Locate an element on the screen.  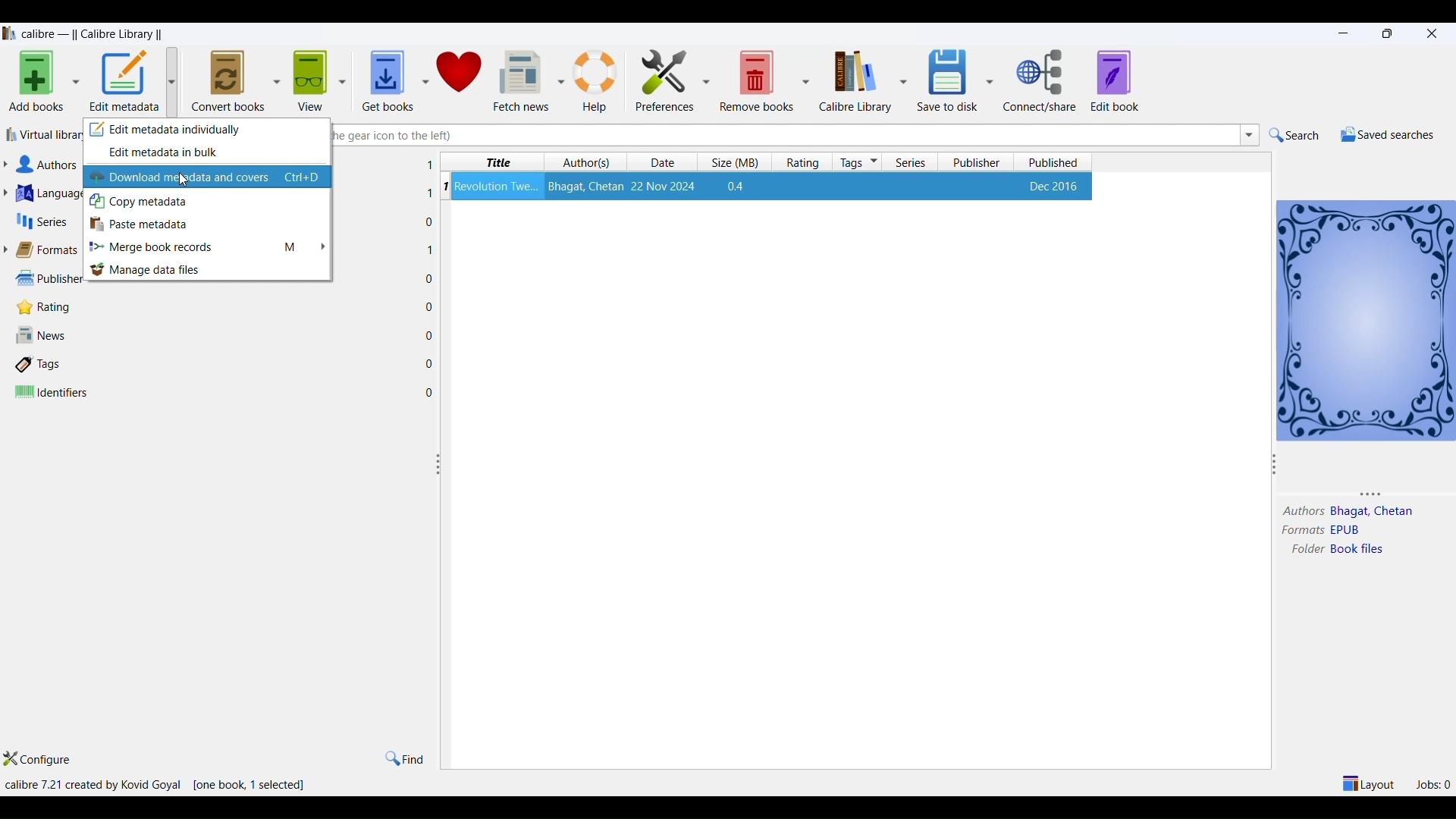
save to disc options dropdown button is located at coordinates (990, 80).